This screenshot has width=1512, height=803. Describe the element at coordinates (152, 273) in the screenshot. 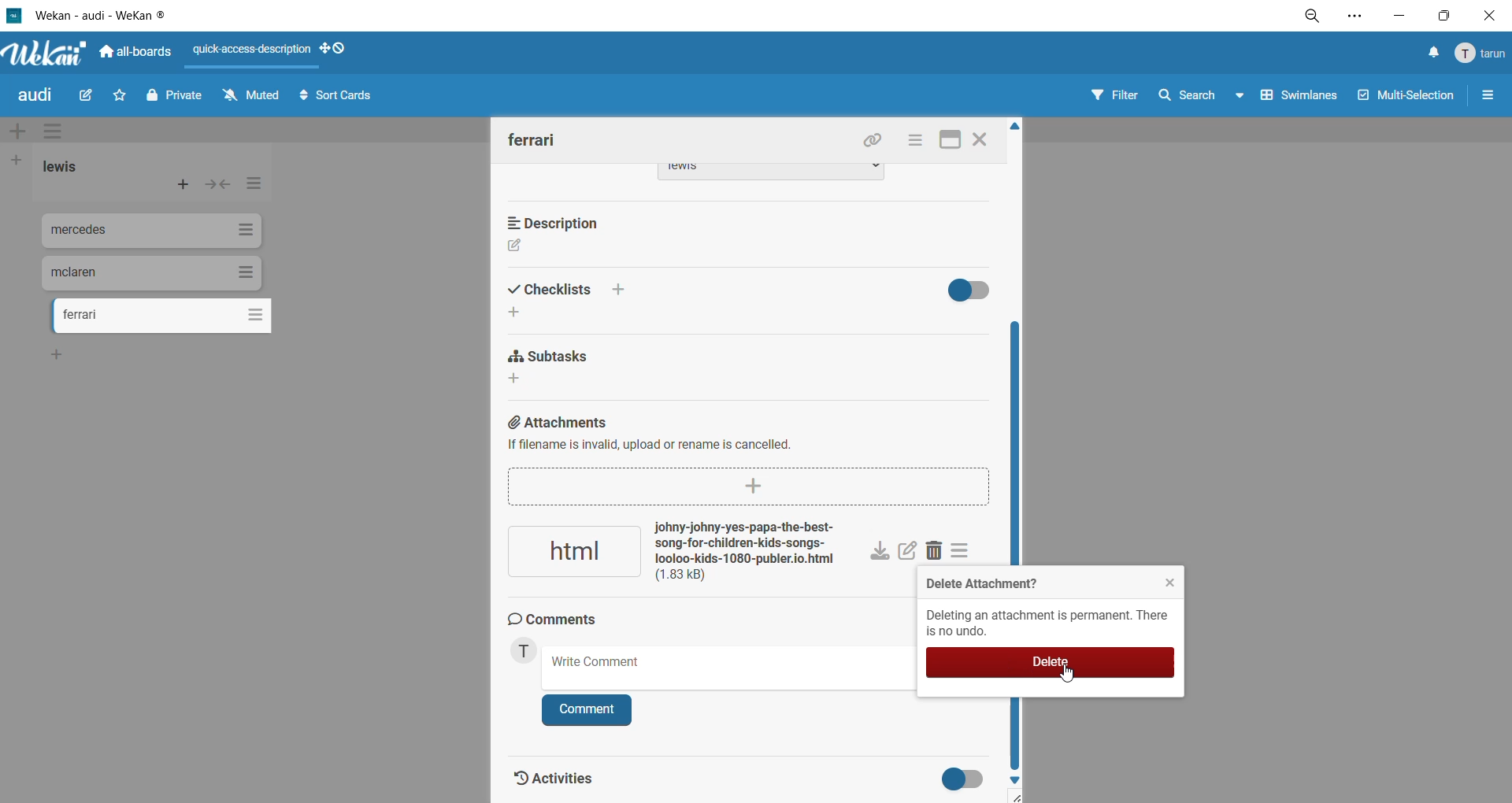

I see `cards` at that location.